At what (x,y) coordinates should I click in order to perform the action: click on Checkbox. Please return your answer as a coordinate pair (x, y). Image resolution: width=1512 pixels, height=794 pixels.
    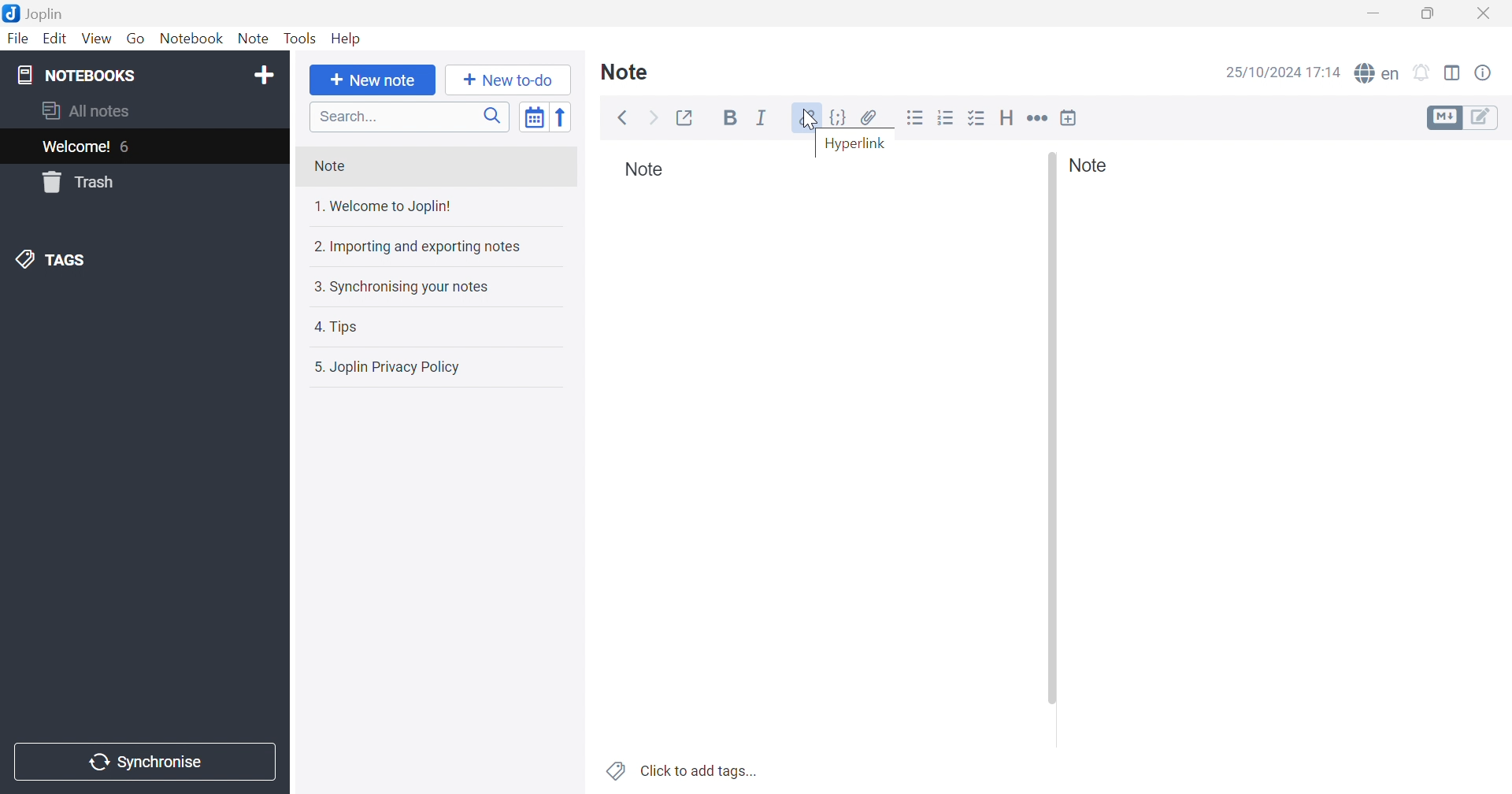
    Looking at the image, I should click on (977, 117).